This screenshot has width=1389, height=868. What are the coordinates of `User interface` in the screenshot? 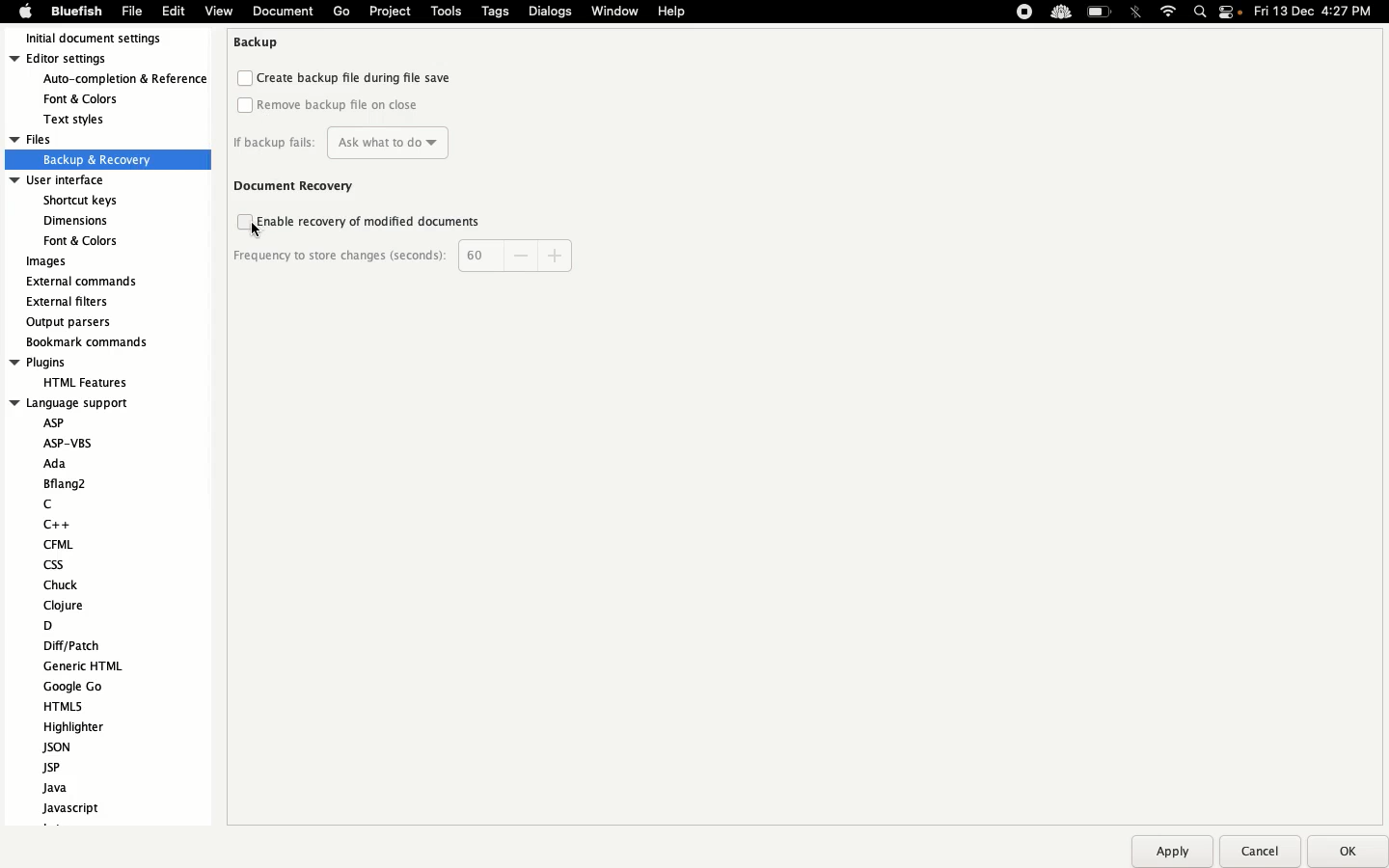 It's located at (80, 211).